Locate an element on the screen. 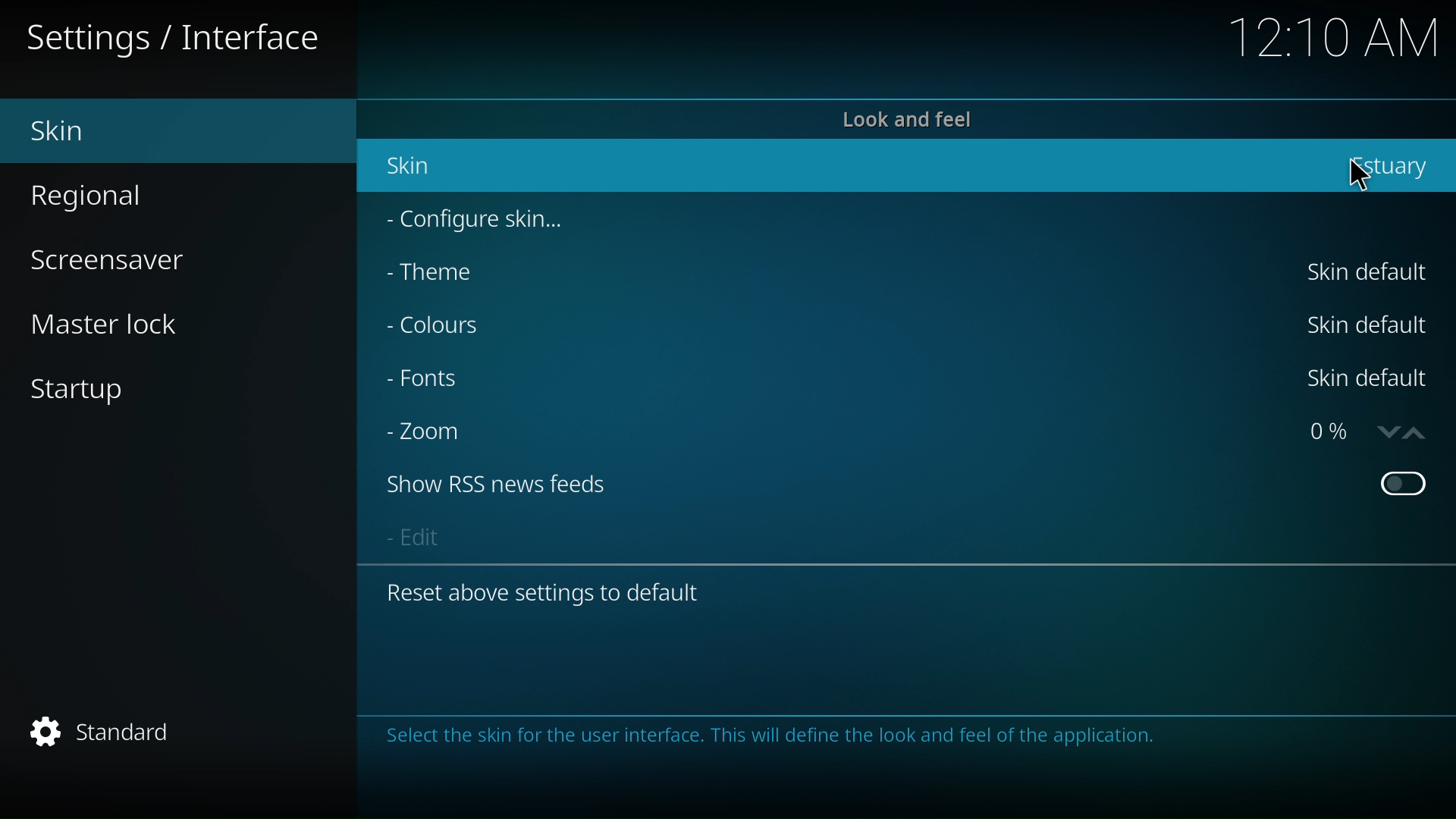  0% is located at coordinates (1330, 431).